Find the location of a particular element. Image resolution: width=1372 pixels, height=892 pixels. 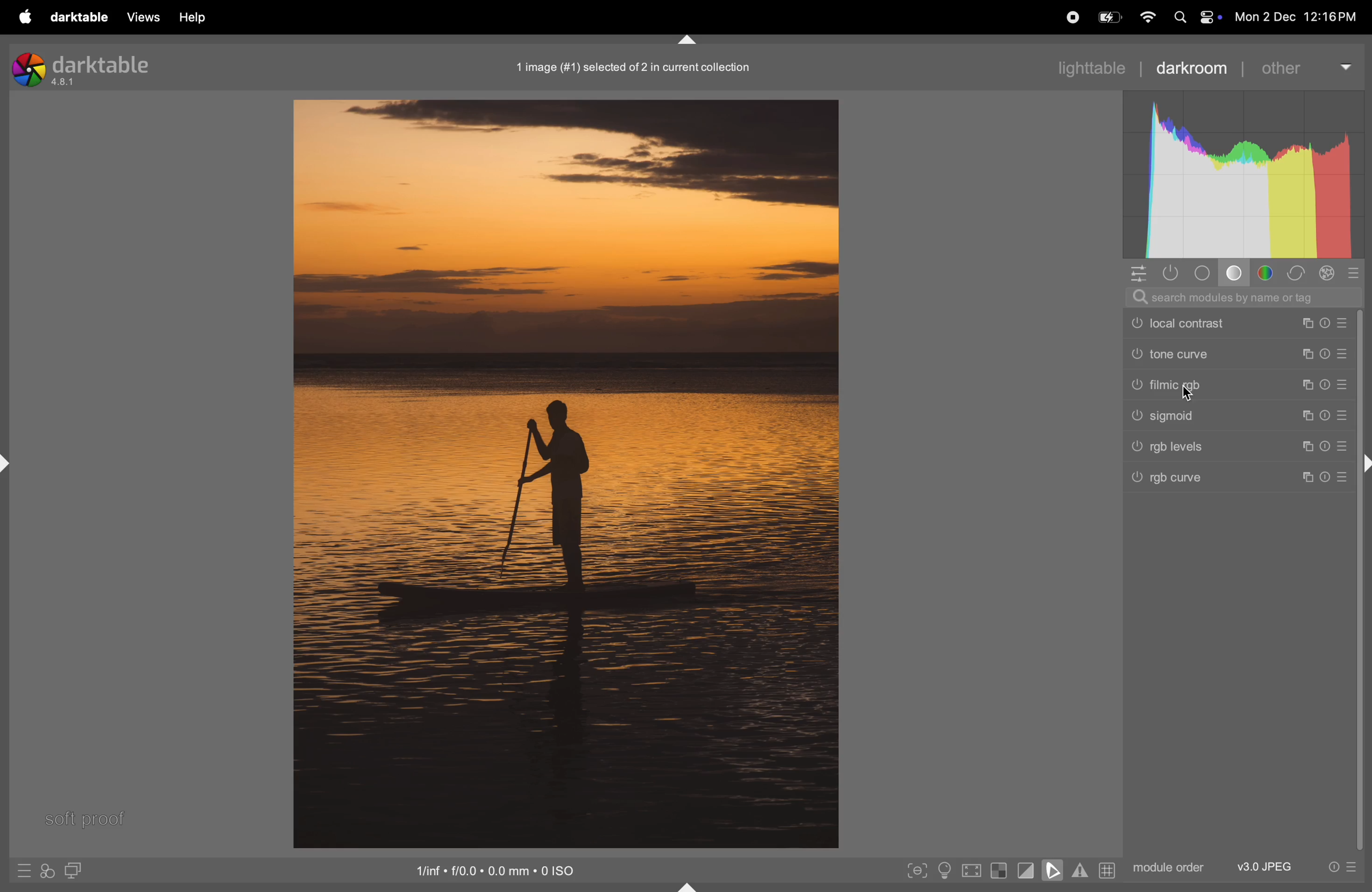

show active modules only is located at coordinates (1173, 273).